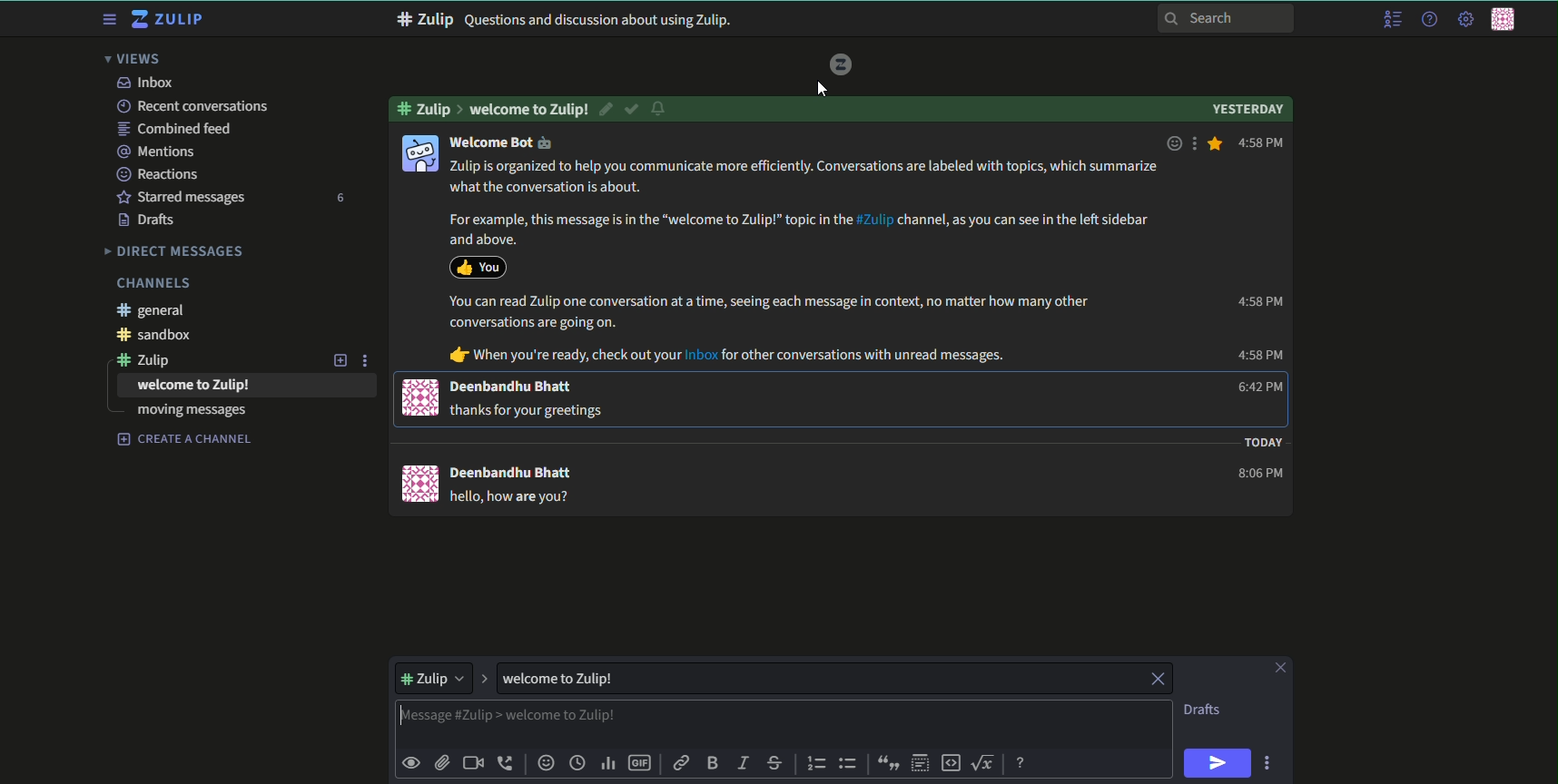  I want to click on 4:58 PM, so click(1245, 144).